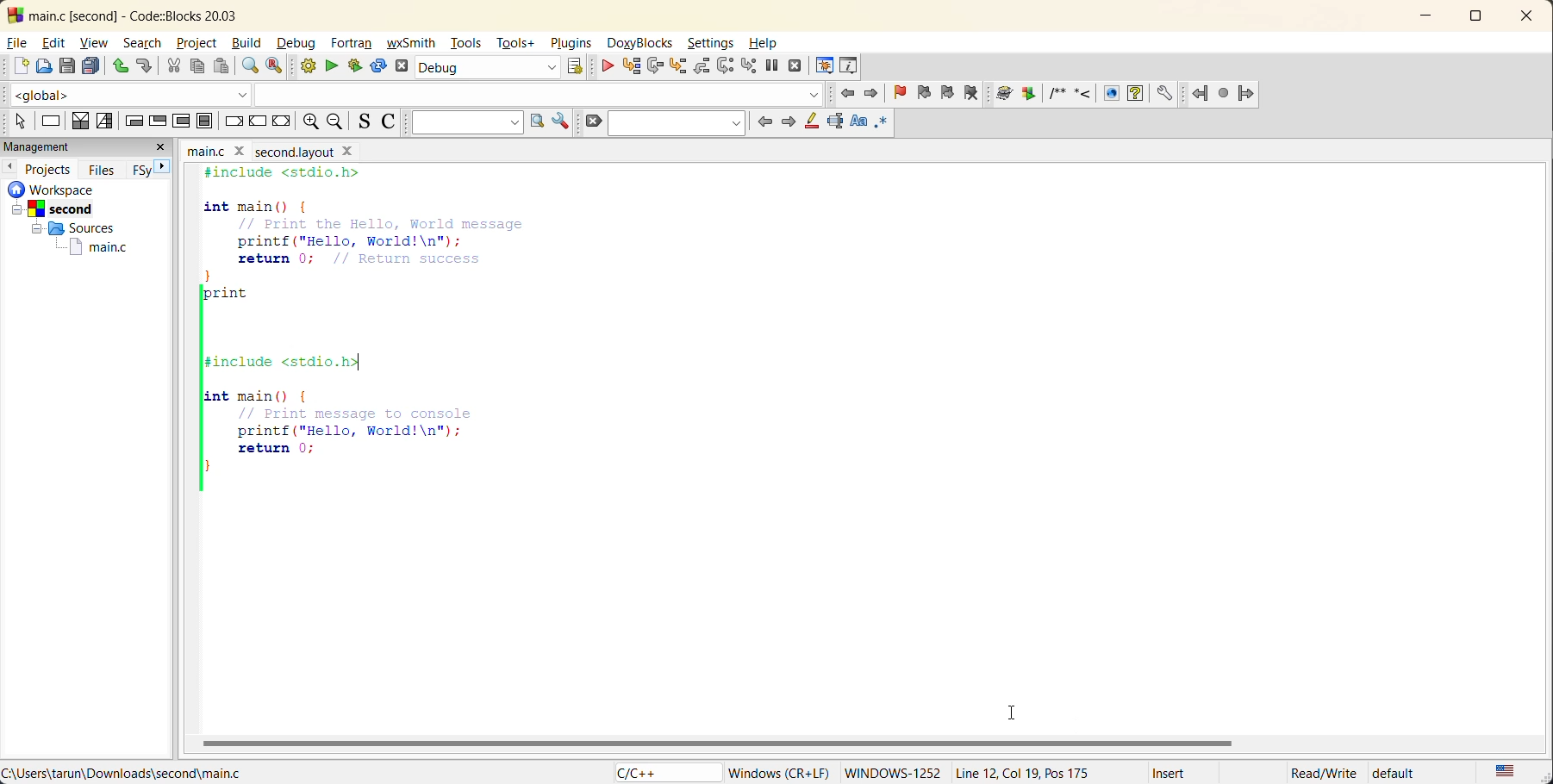  Describe the element at coordinates (658, 772) in the screenshot. I see `language` at that location.